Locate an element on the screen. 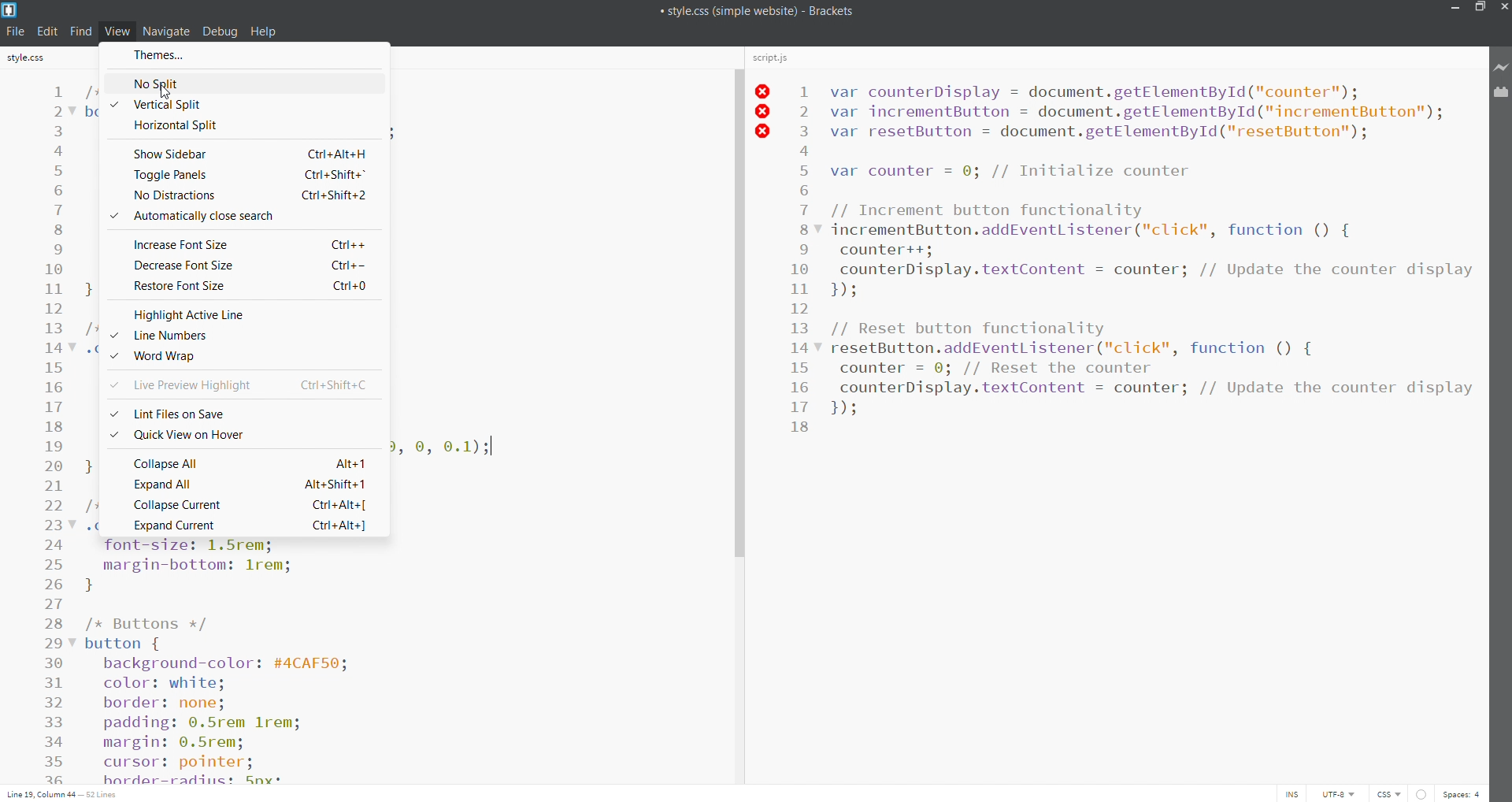 The image size is (1512, 802). debug is located at coordinates (220, 31).